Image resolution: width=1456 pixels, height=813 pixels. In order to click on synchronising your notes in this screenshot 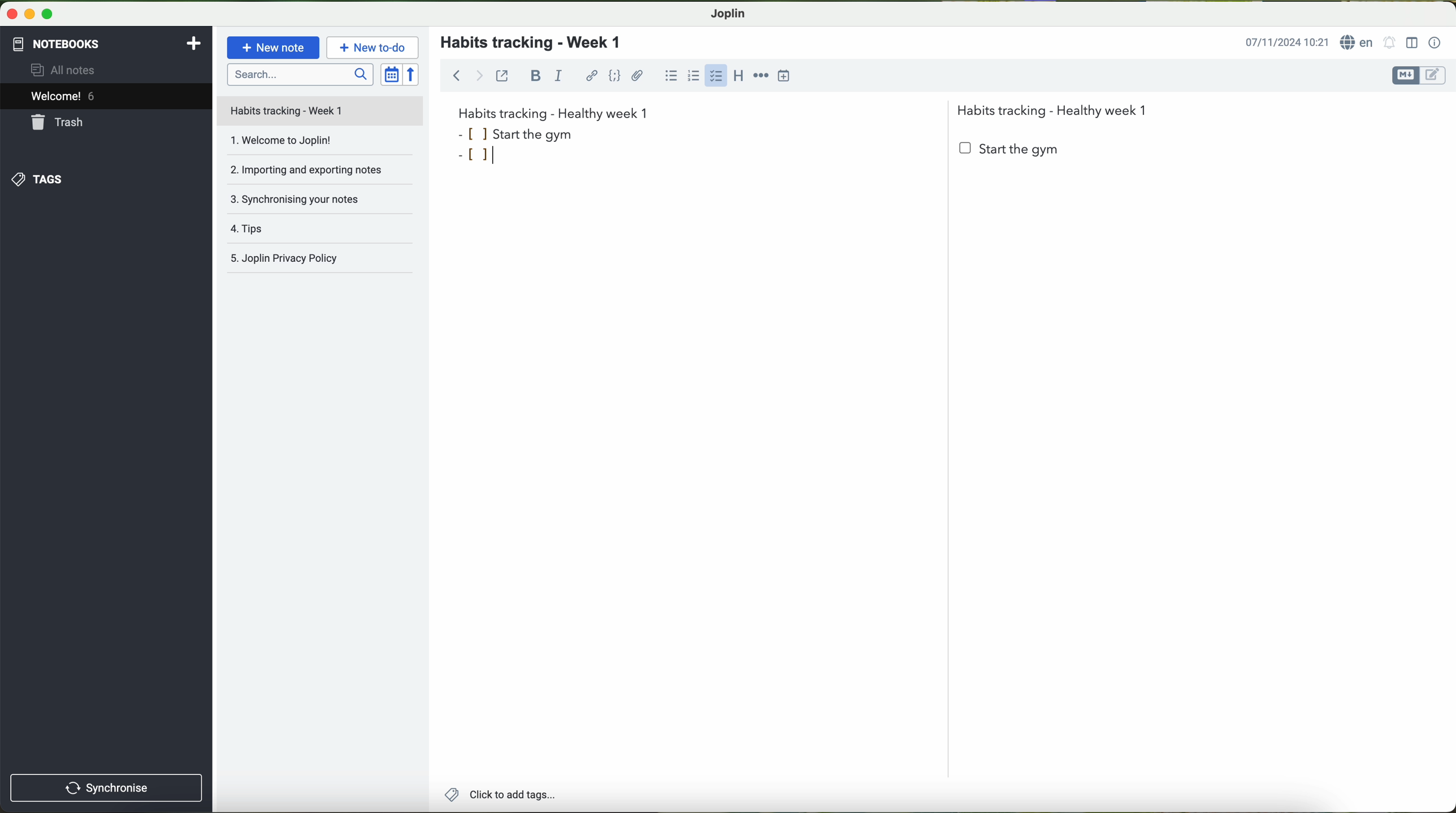, I will do `click(324, 203)`.